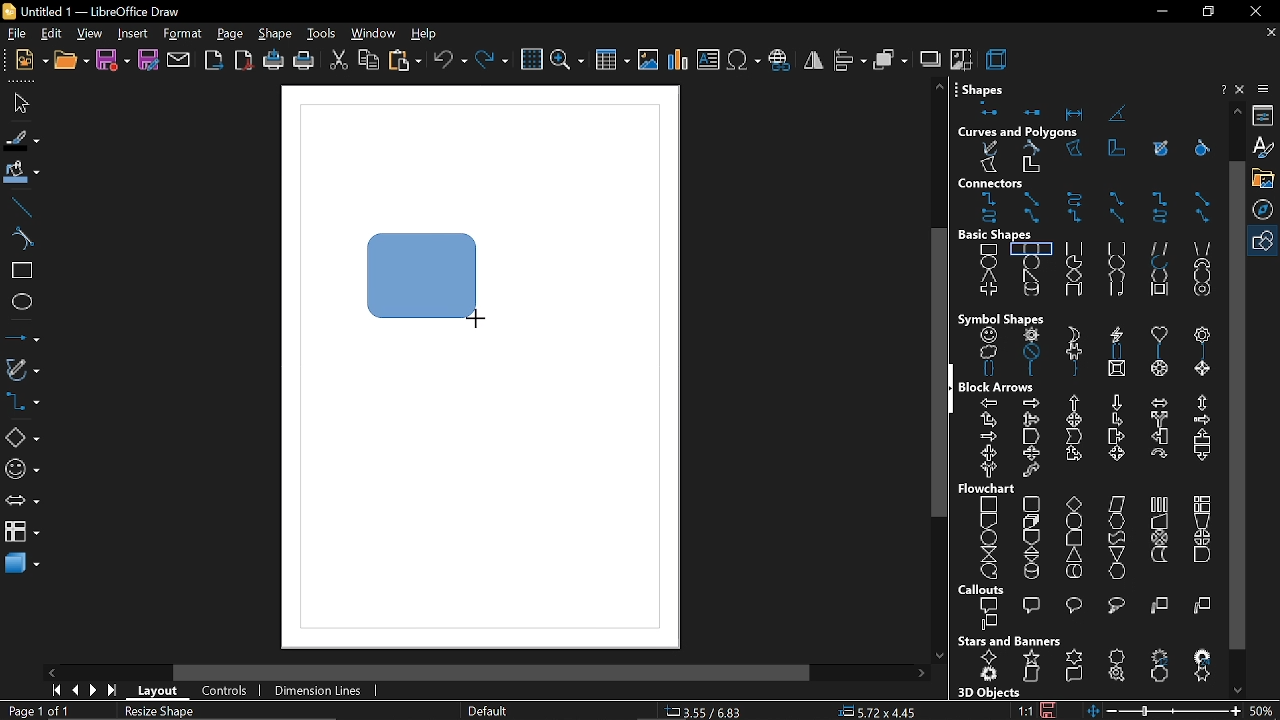 Image resolution: width=1280 pixels, height=720 pixels. What do you see at coordinates (277, 35) in the screenshot?
I see `shape` at bounding box center [277, 35].